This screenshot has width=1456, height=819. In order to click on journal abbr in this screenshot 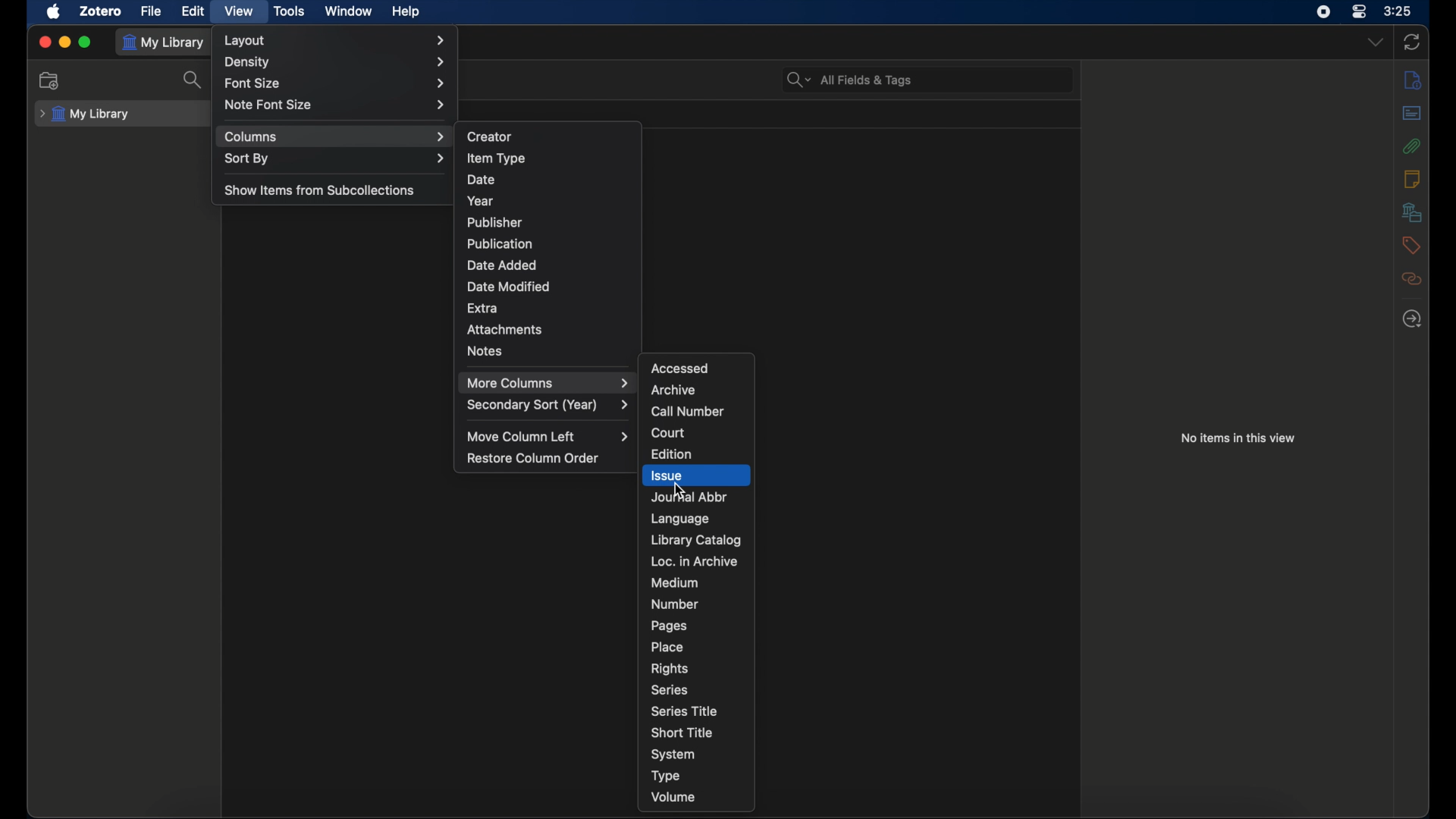, I will do `click(688, 497)`.